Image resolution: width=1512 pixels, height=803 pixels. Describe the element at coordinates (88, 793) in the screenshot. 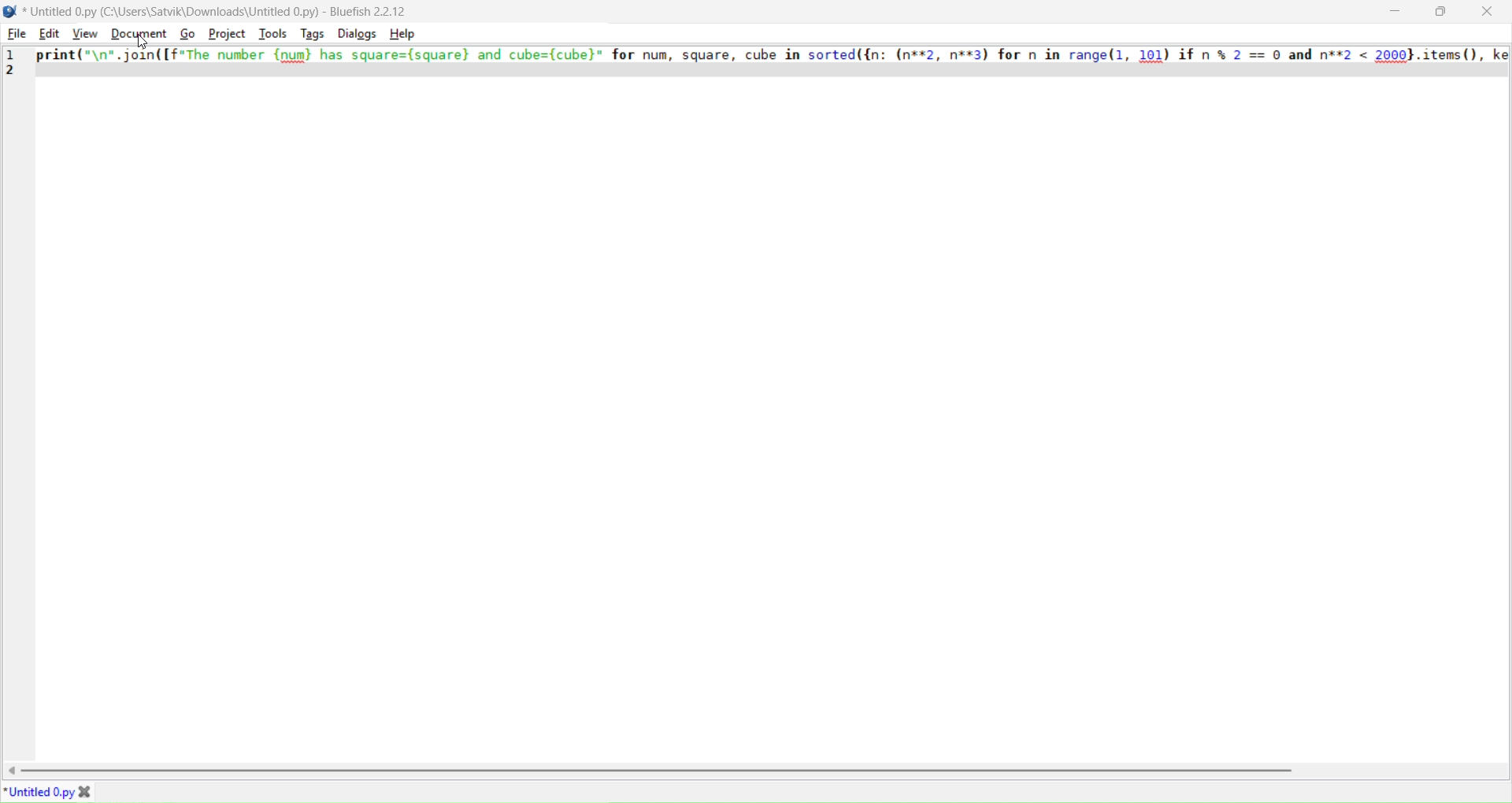

I see `close tab` at that location.